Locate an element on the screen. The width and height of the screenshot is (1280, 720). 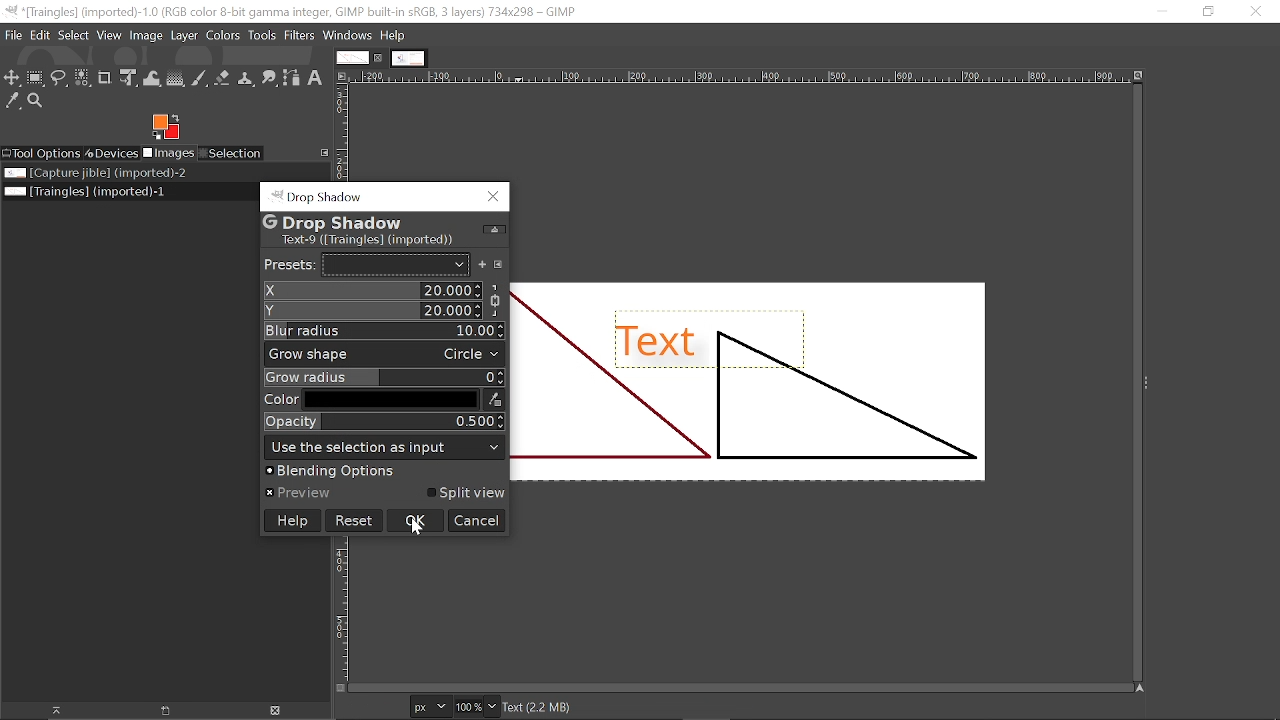
Devices is located at coordinates (111, 152).